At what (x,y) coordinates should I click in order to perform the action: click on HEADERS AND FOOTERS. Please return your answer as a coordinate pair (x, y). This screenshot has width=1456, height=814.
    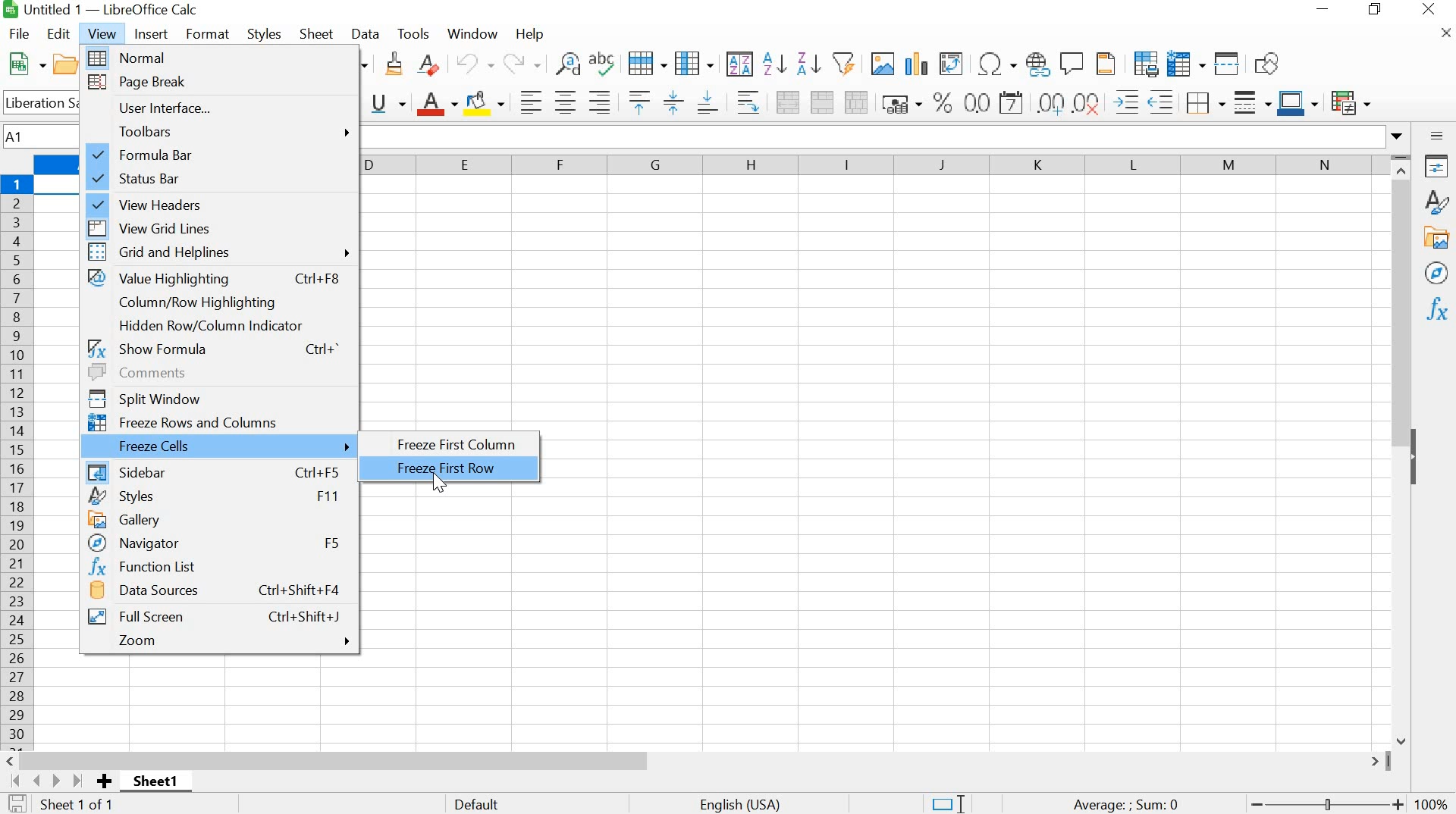
    Looking at the image, I should click on (1109, 64).